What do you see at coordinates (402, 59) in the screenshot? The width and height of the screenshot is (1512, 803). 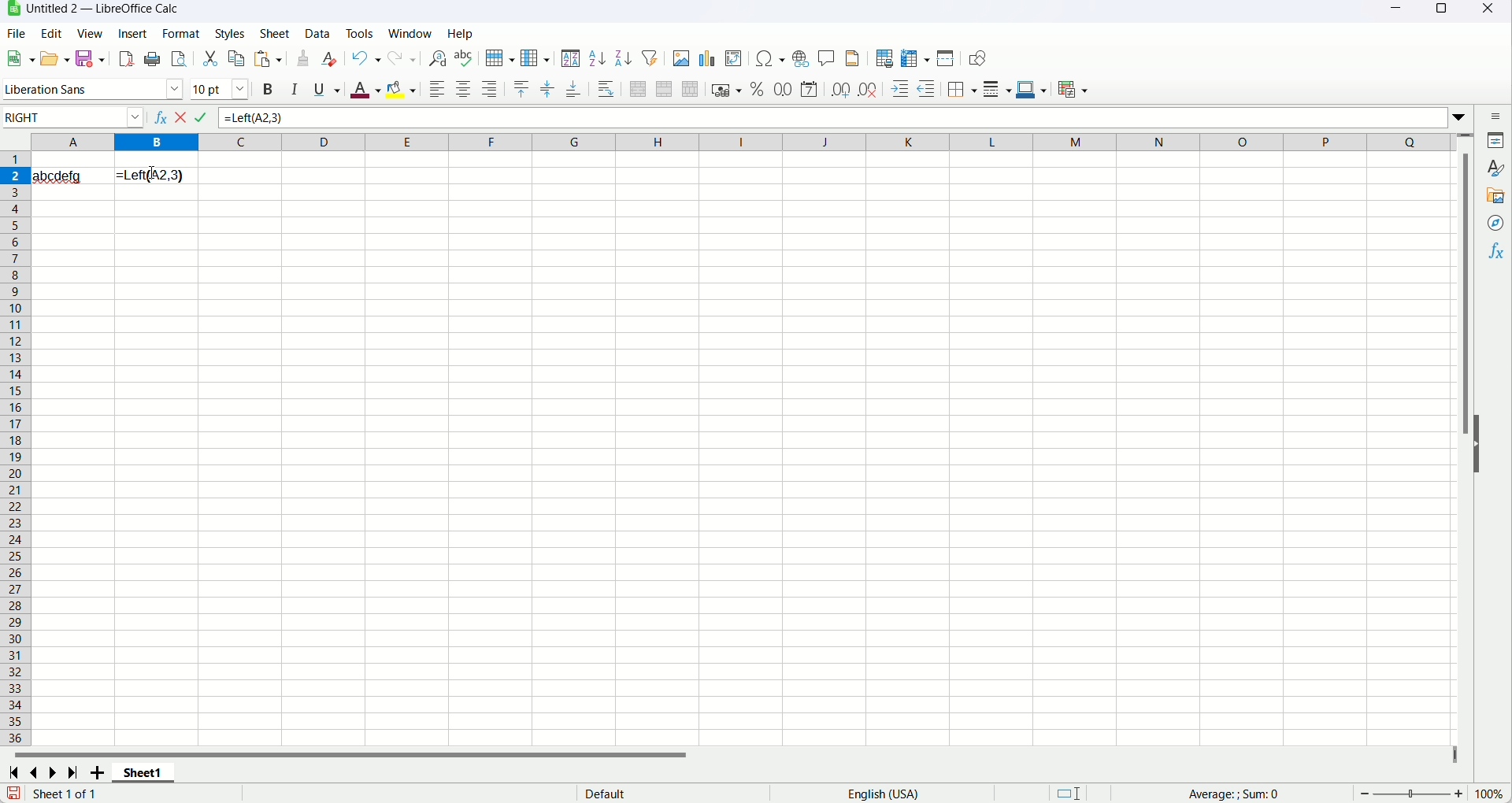 I see `redo` at bounding box center [402, 59].